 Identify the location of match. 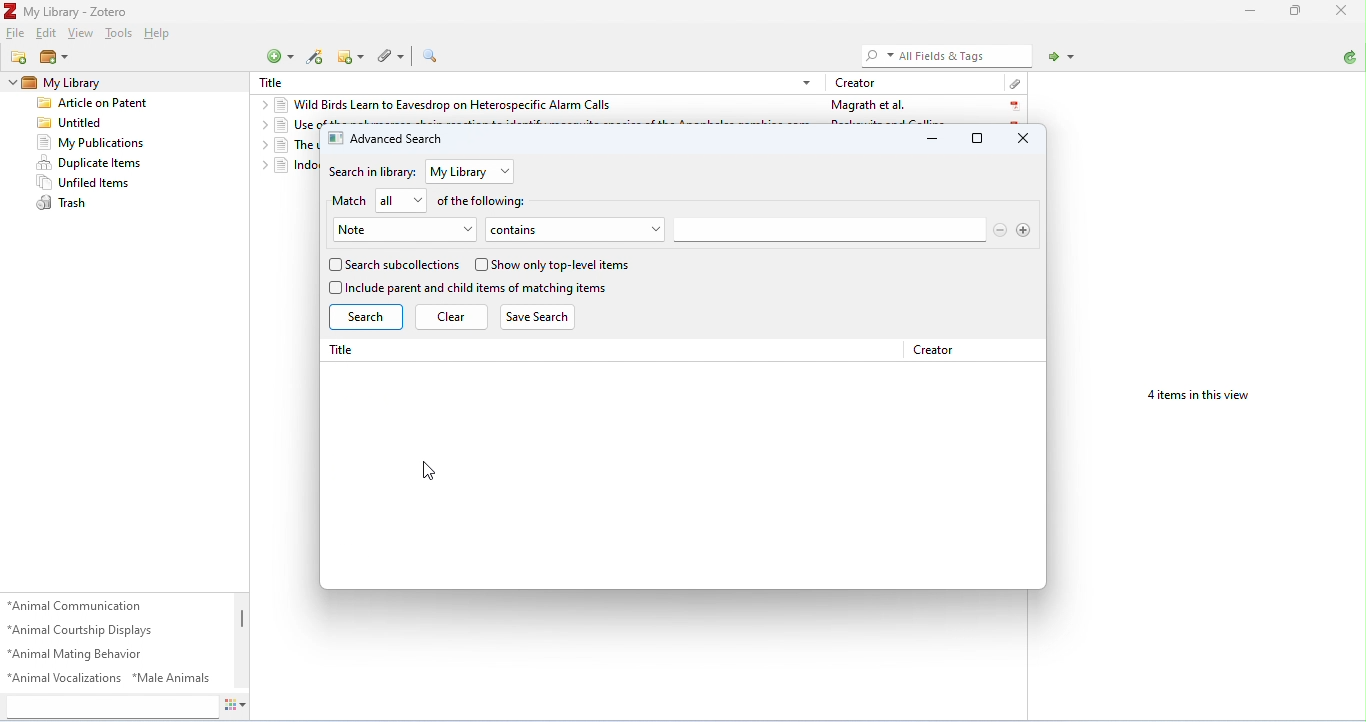
(352, 201).